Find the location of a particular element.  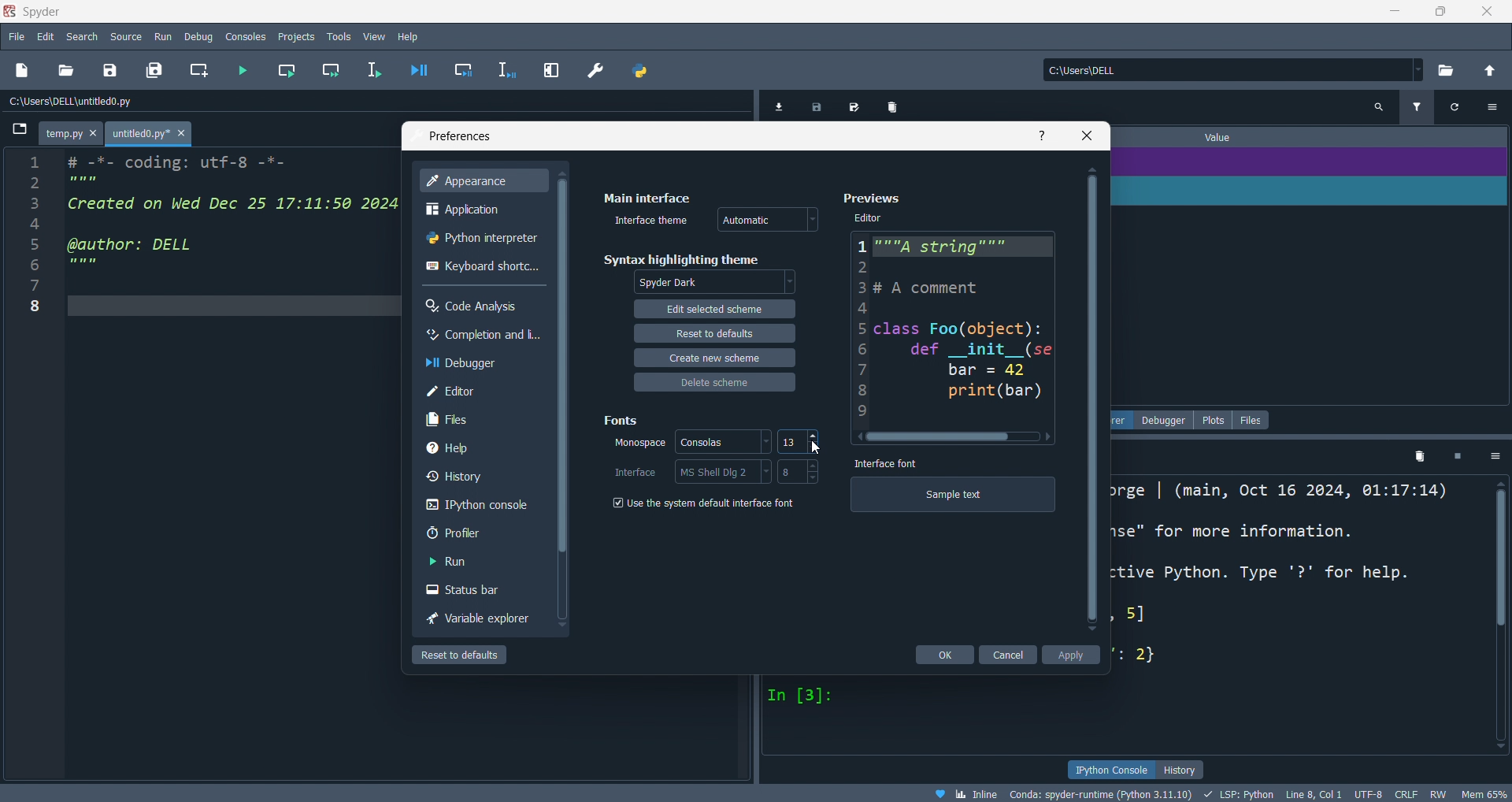

close is located at coordinates (1087, 134).